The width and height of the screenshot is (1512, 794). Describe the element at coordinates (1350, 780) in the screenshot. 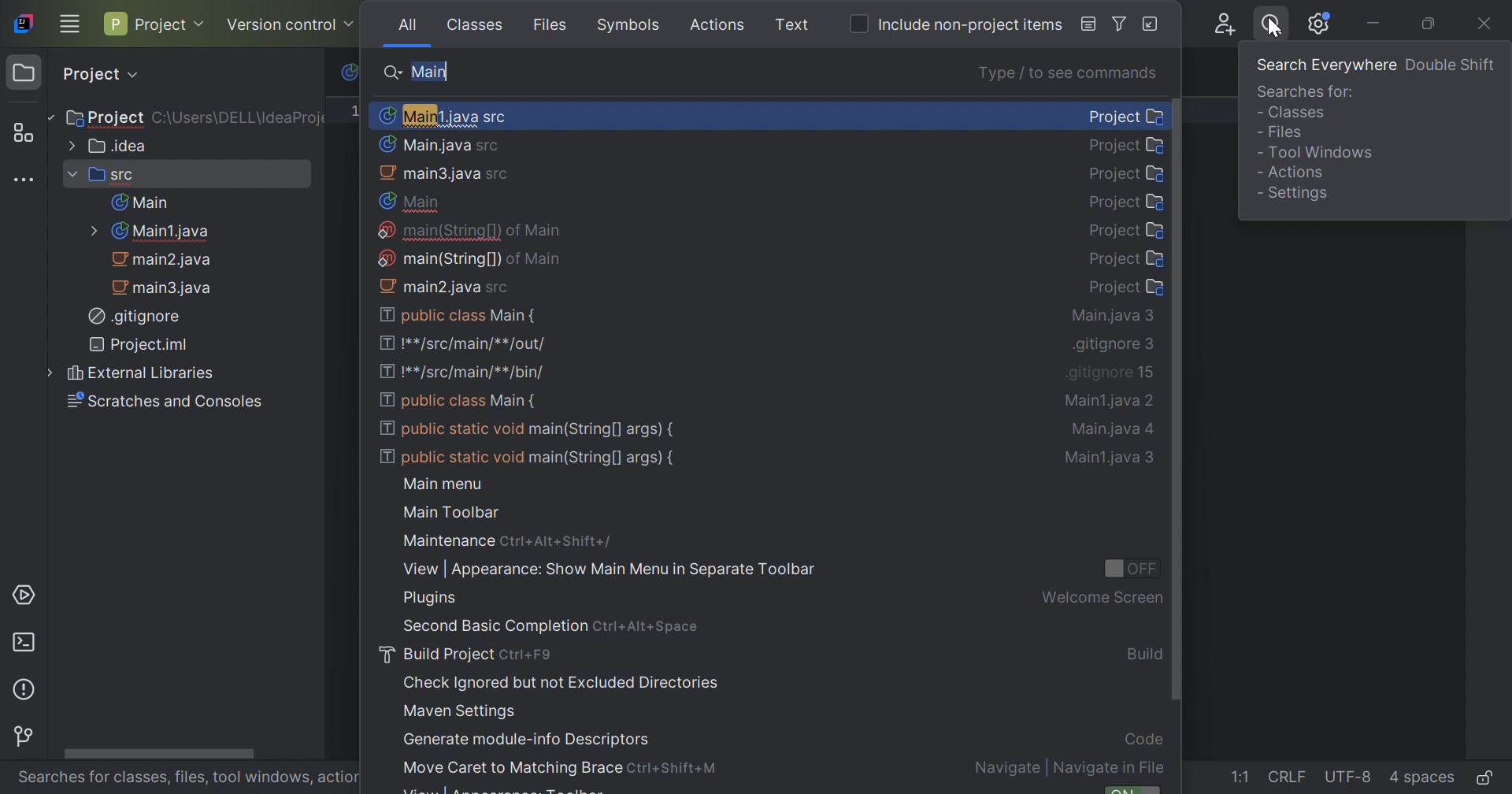

I see `UTF-8` at that location.